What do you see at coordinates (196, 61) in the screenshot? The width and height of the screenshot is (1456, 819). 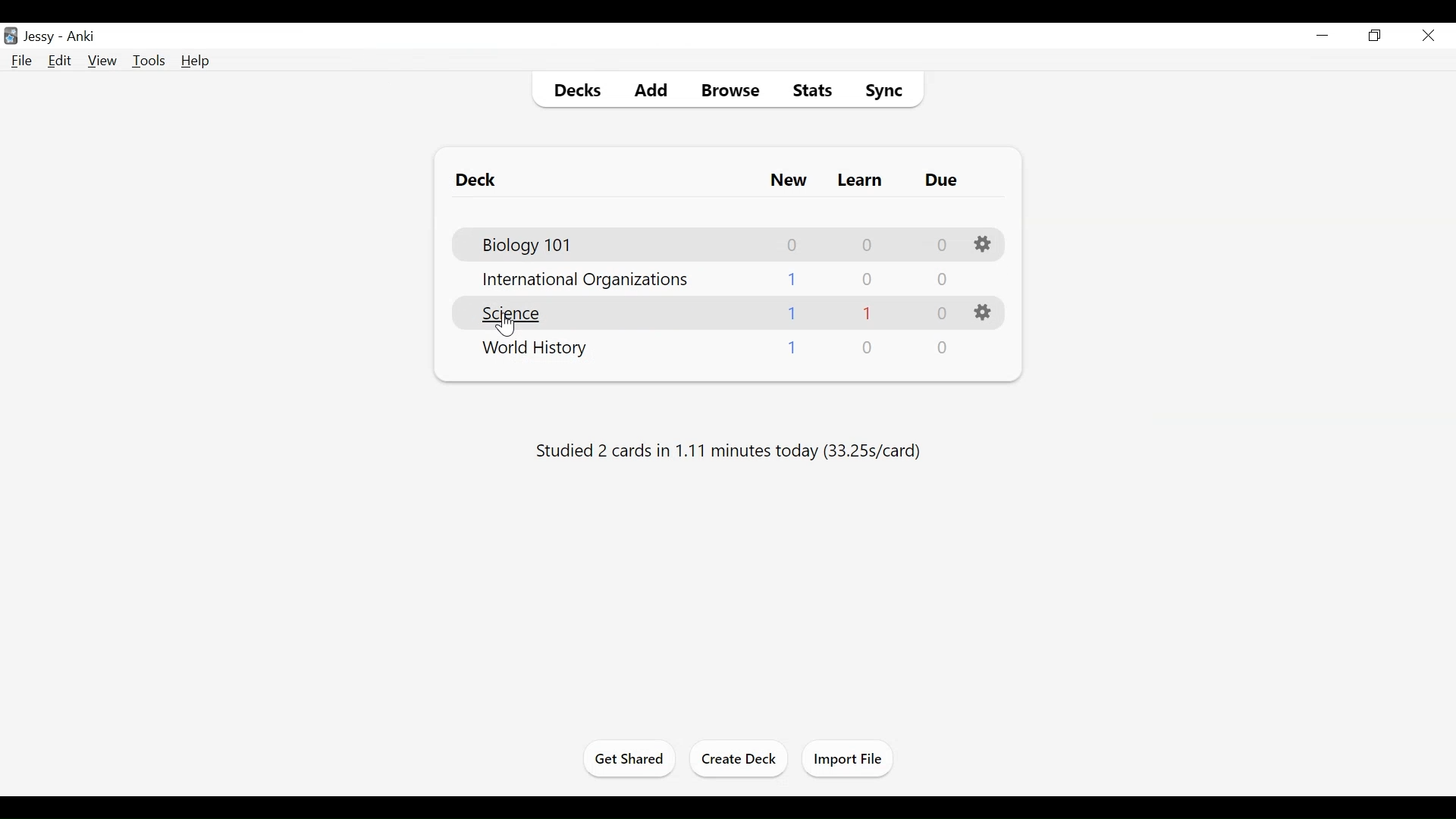 I see `Help` at bounding box center [196, 61].